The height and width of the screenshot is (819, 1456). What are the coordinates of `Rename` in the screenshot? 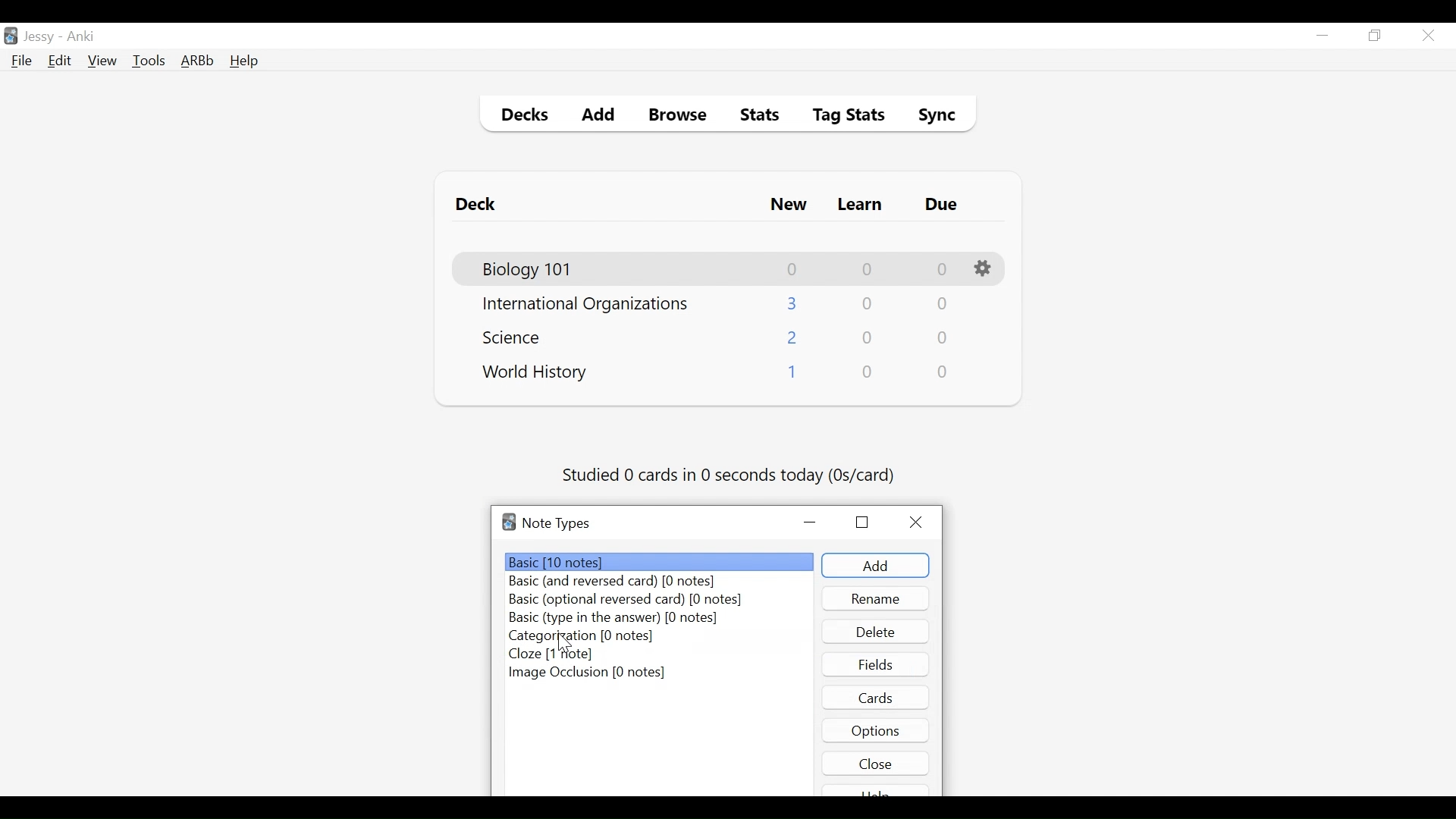 It's located at (876, 598).